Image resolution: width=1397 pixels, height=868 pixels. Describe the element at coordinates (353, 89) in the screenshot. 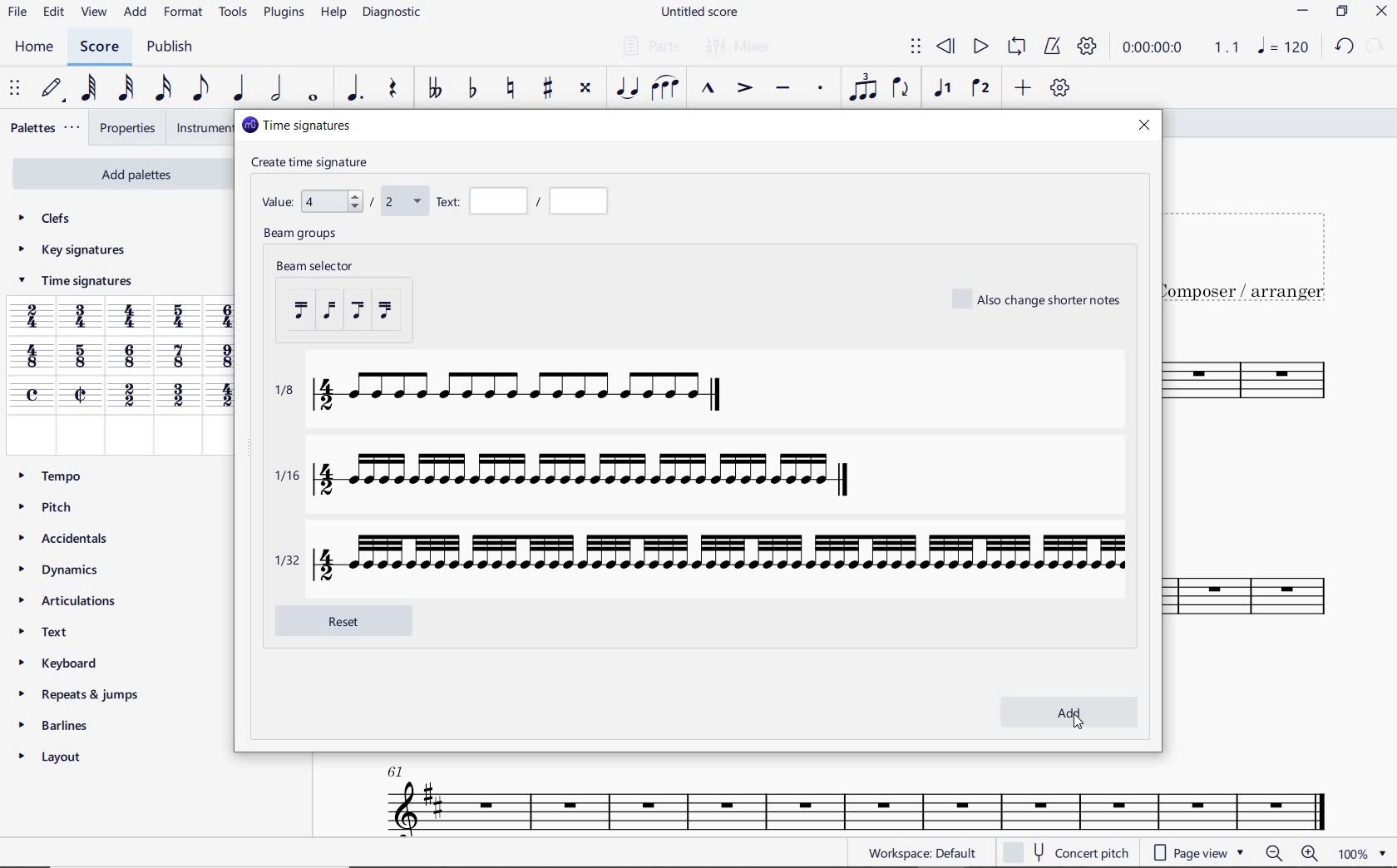

I see `AUGMENTATION DOT` at that location.